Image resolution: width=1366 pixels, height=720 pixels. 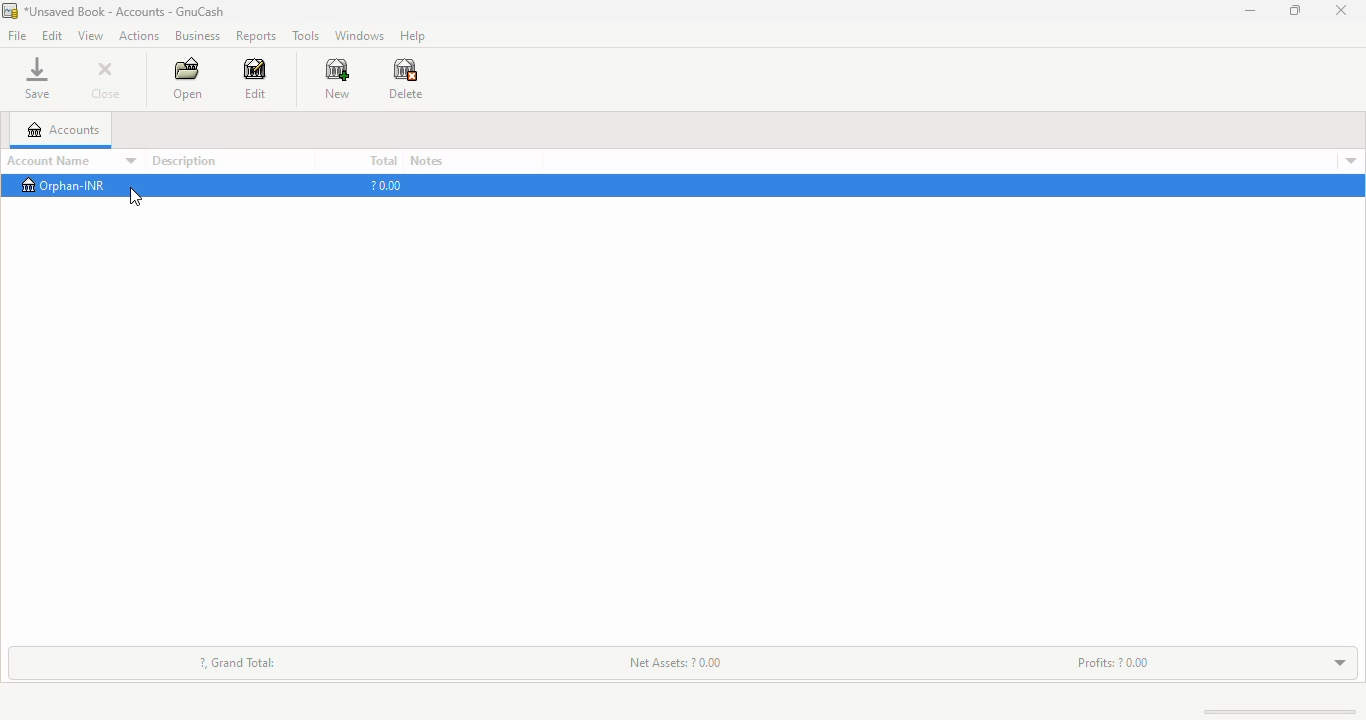 What do you see at coordinates (184, 162) in the screenshot?
I see `description` at bounding box center [184, 162].